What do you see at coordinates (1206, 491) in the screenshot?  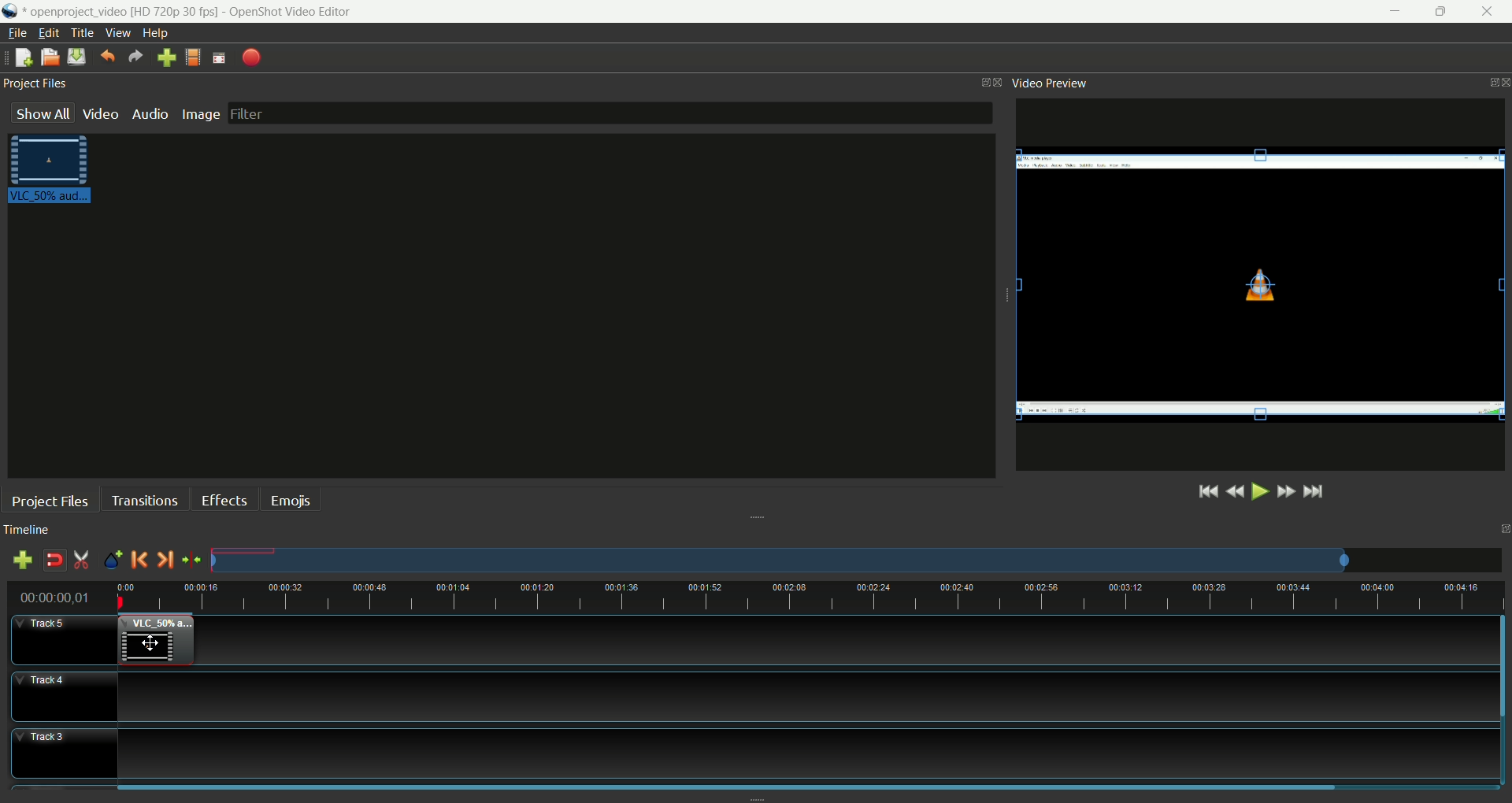 I see `jump to start` at bounding box center [1206, 491].